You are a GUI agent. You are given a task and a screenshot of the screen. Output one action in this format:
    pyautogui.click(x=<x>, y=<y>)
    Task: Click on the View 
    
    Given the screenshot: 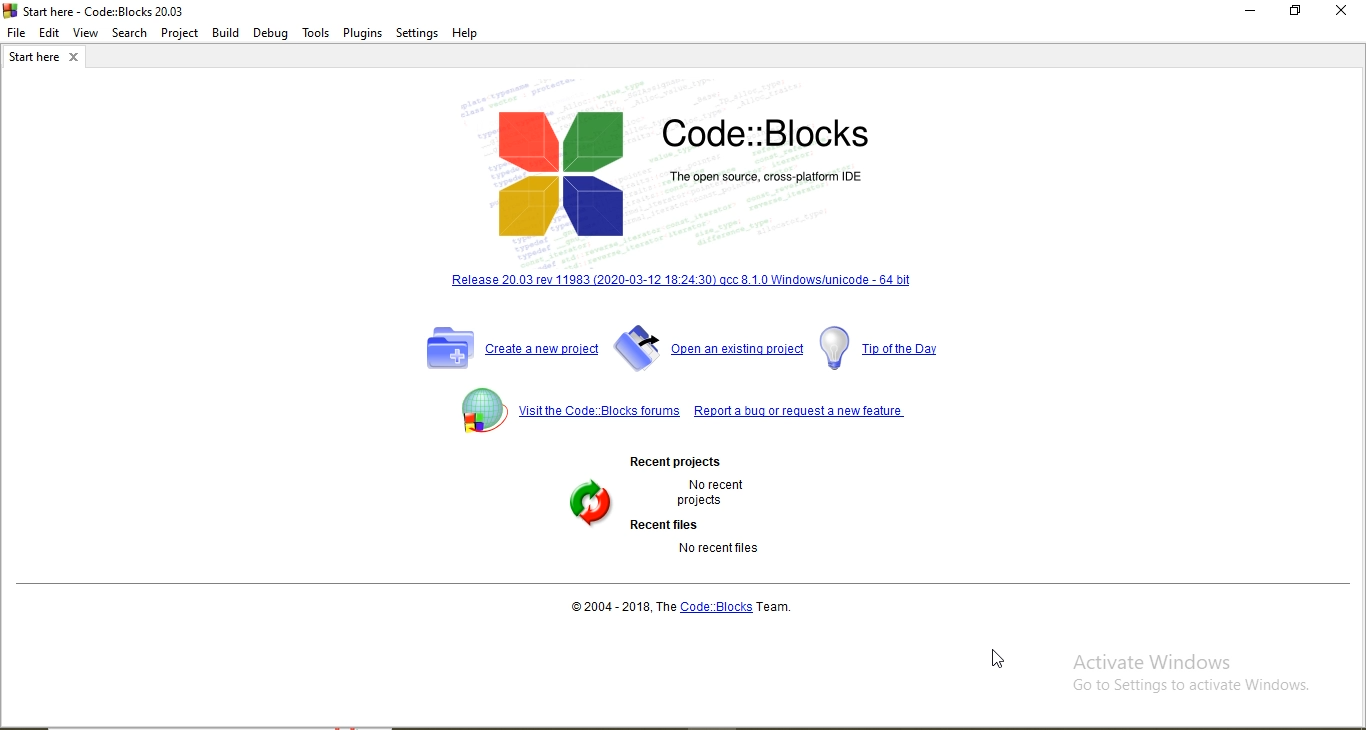 What is the action you would take?
    pyautogui.click(x=86, y=33)
    